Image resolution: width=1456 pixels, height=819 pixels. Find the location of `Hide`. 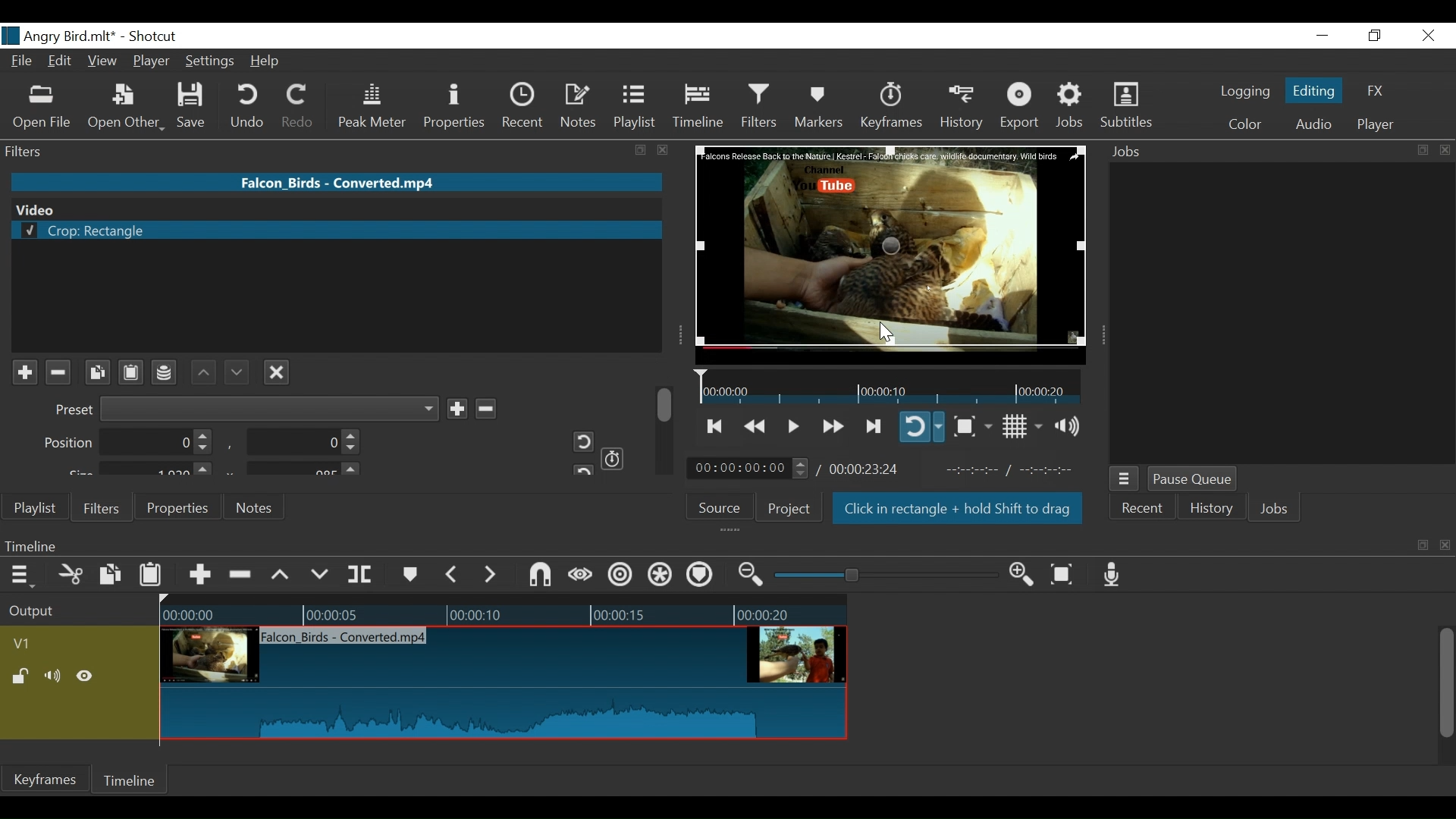

Hide is located at coordinates (85, 679).